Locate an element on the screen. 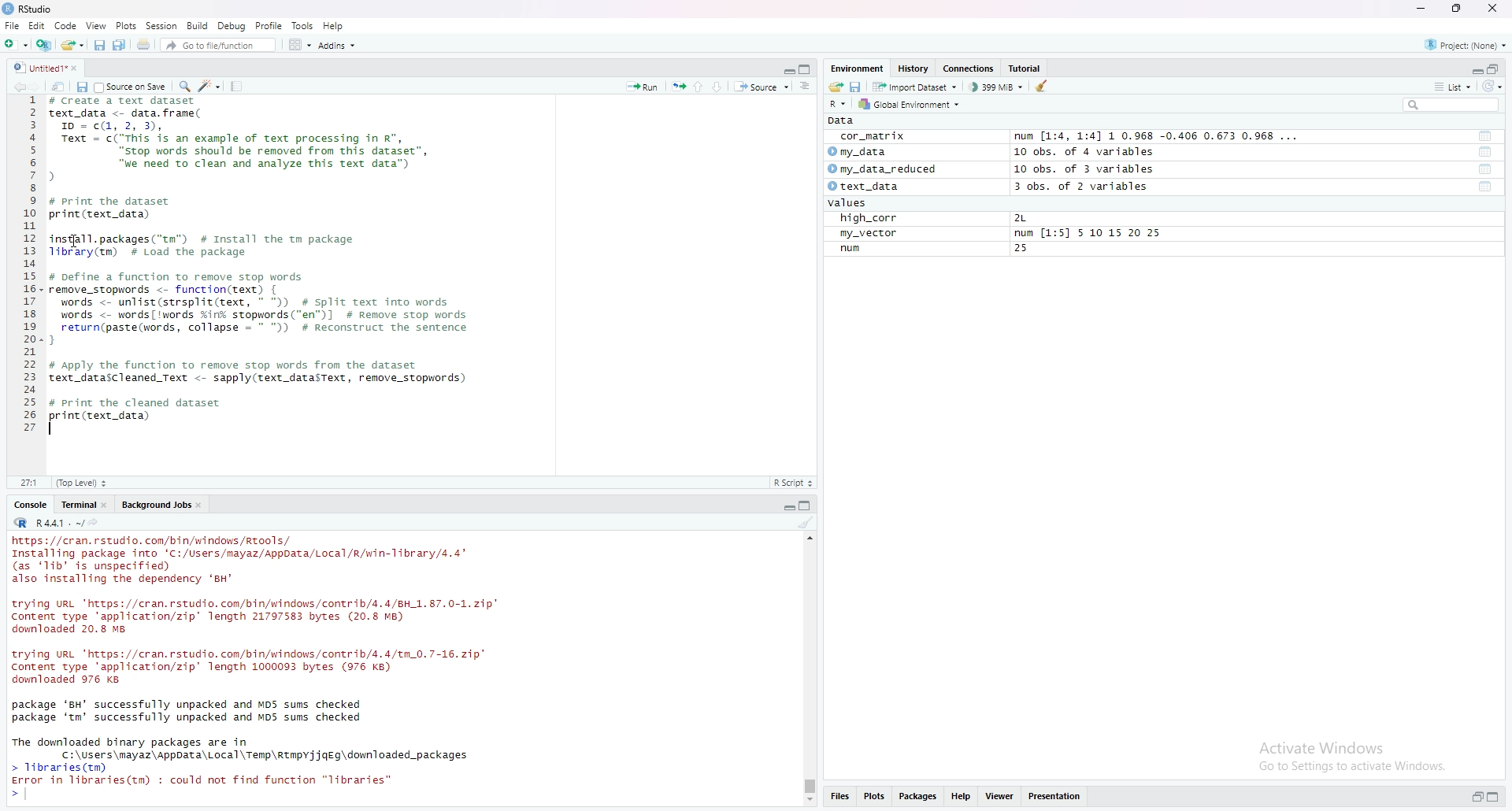  data is located at coordinates (842, 121).